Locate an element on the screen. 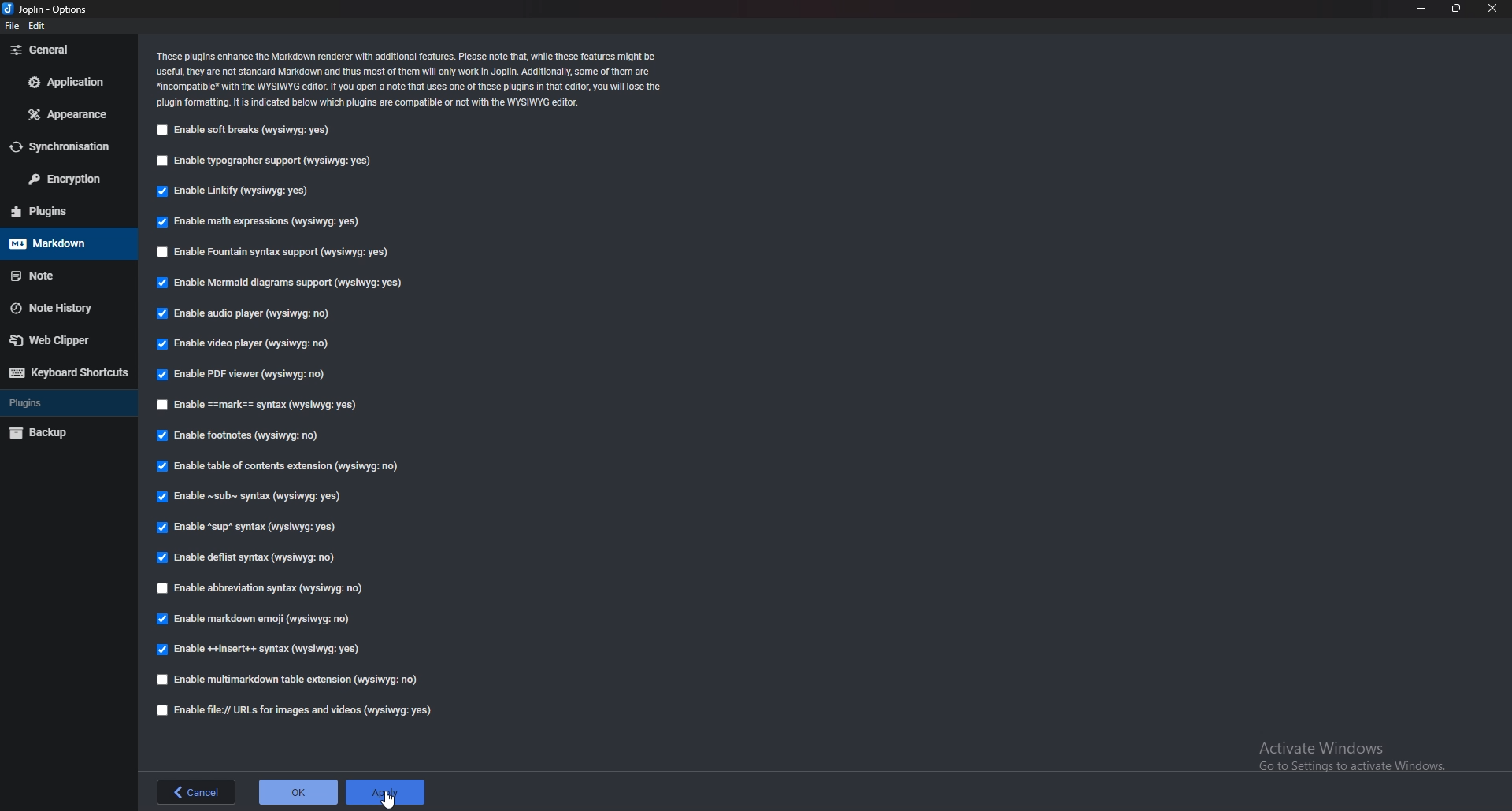  Enable soft breaks is located at coordinates (242, 131).